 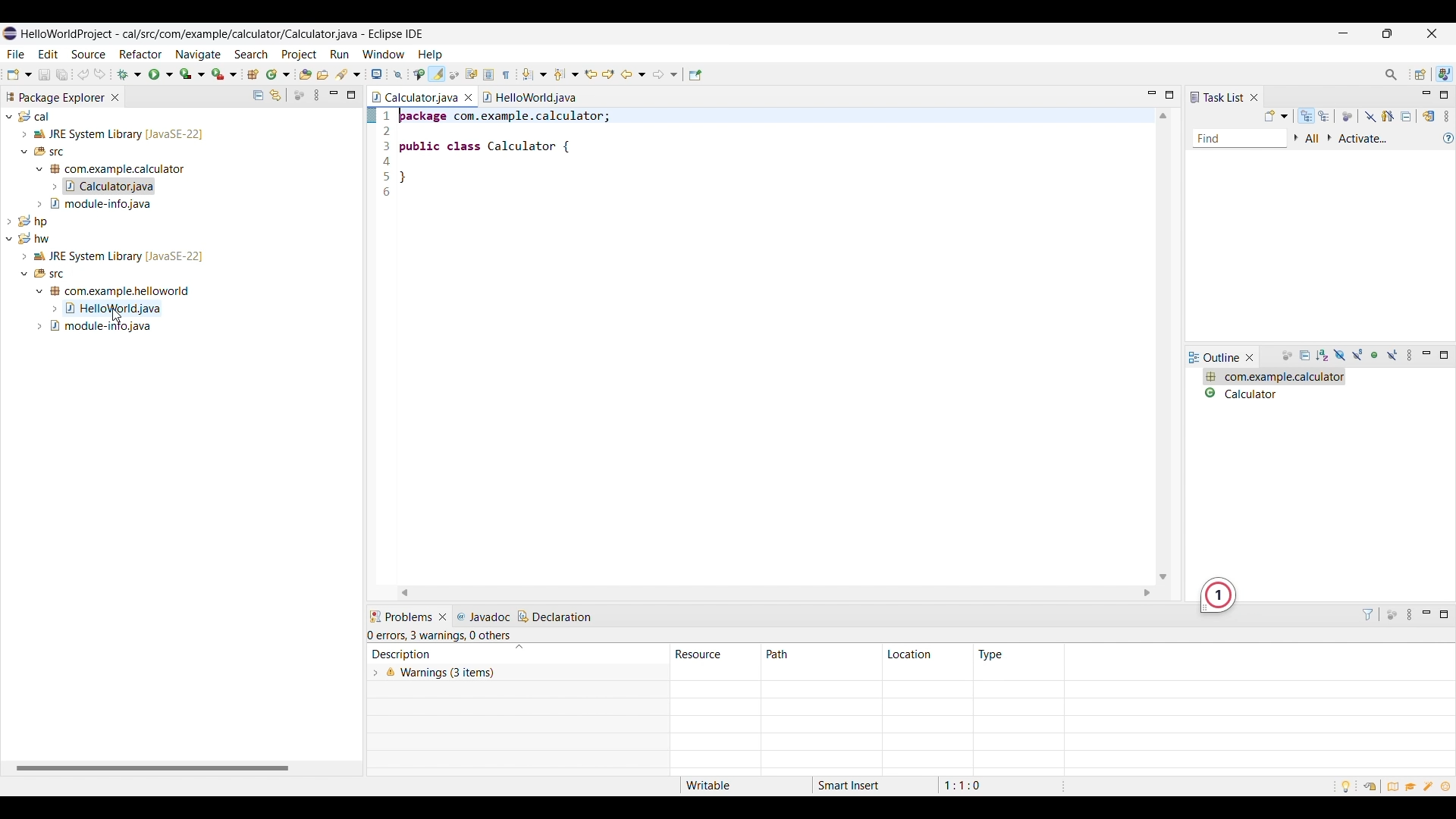 I want to click on Search options, so click(x=348, y=74).